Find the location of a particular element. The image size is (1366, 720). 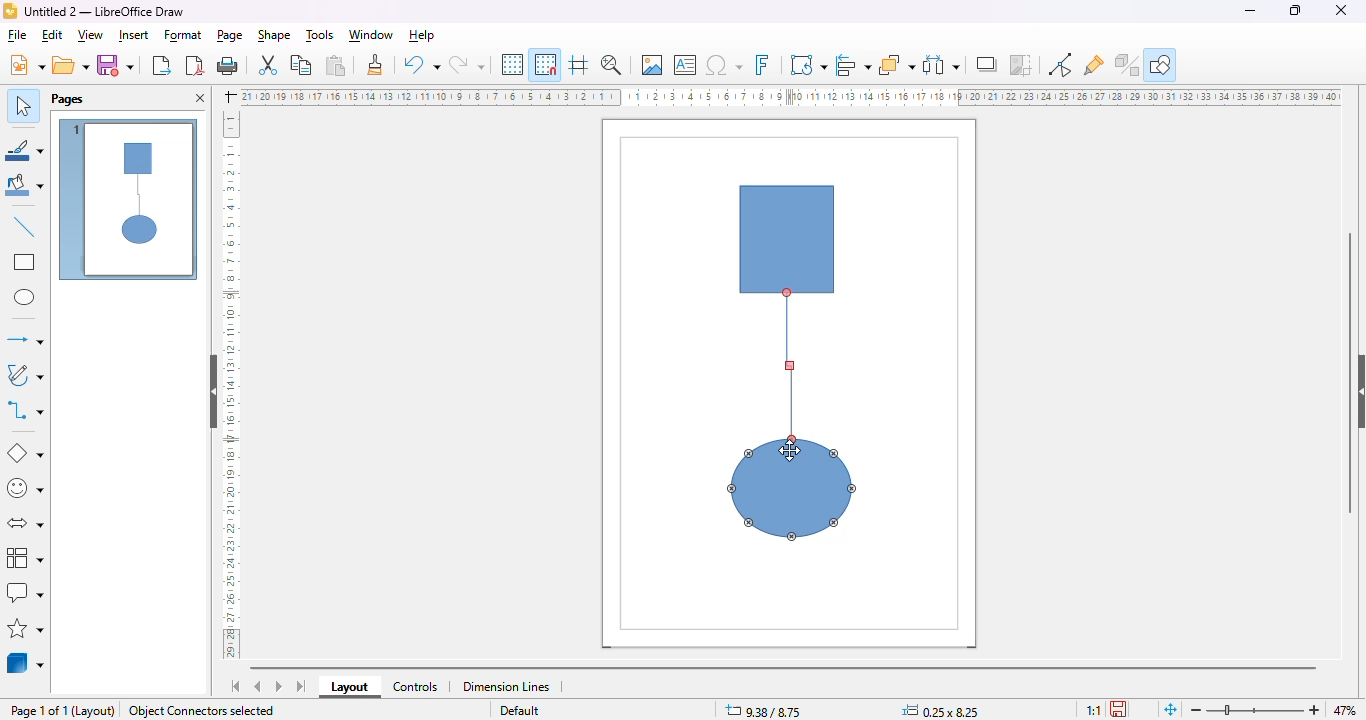

export is located at coordinates (161, 66).